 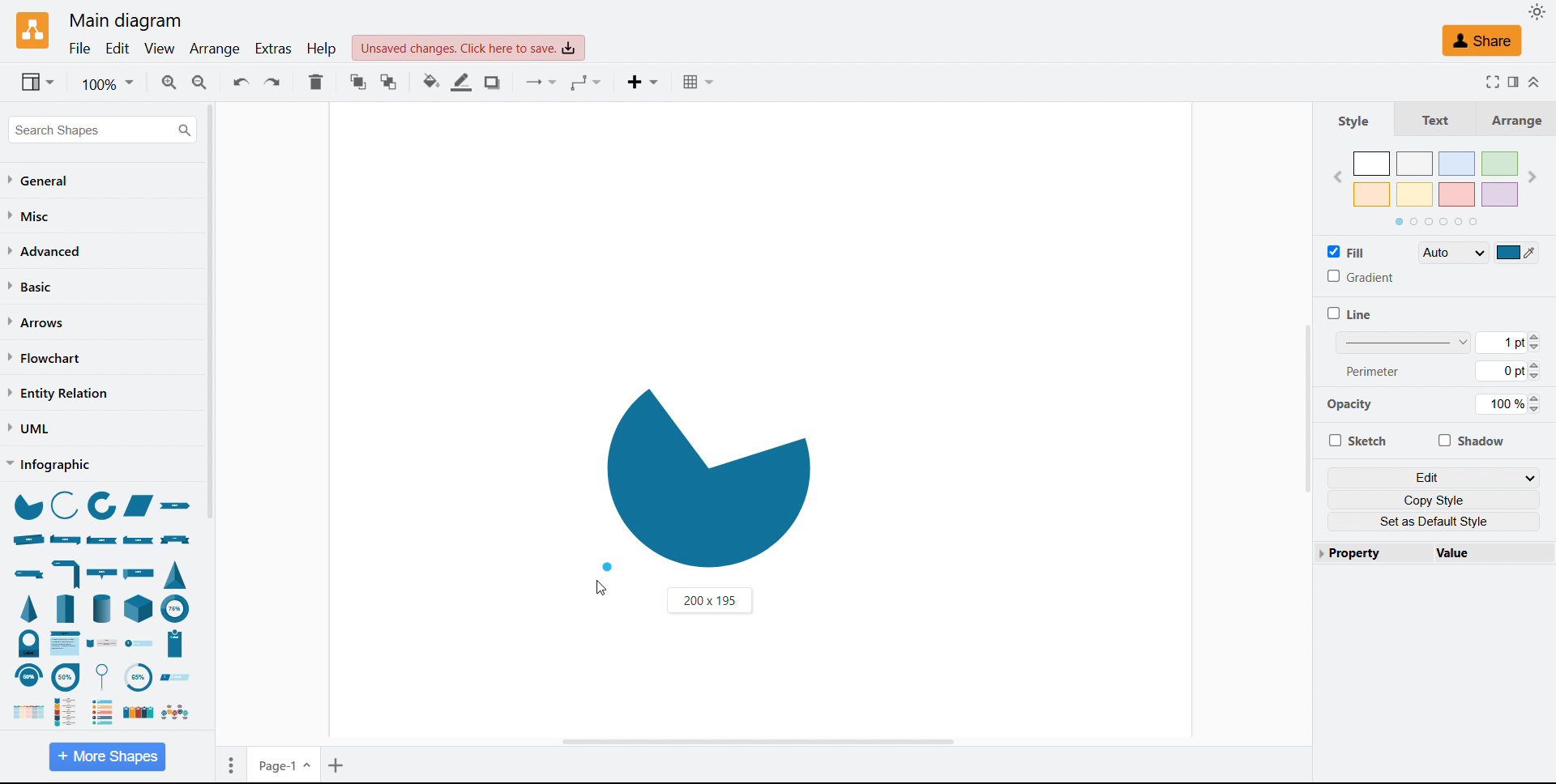 I want to click on Sketch , so click(x=1357, y=440).